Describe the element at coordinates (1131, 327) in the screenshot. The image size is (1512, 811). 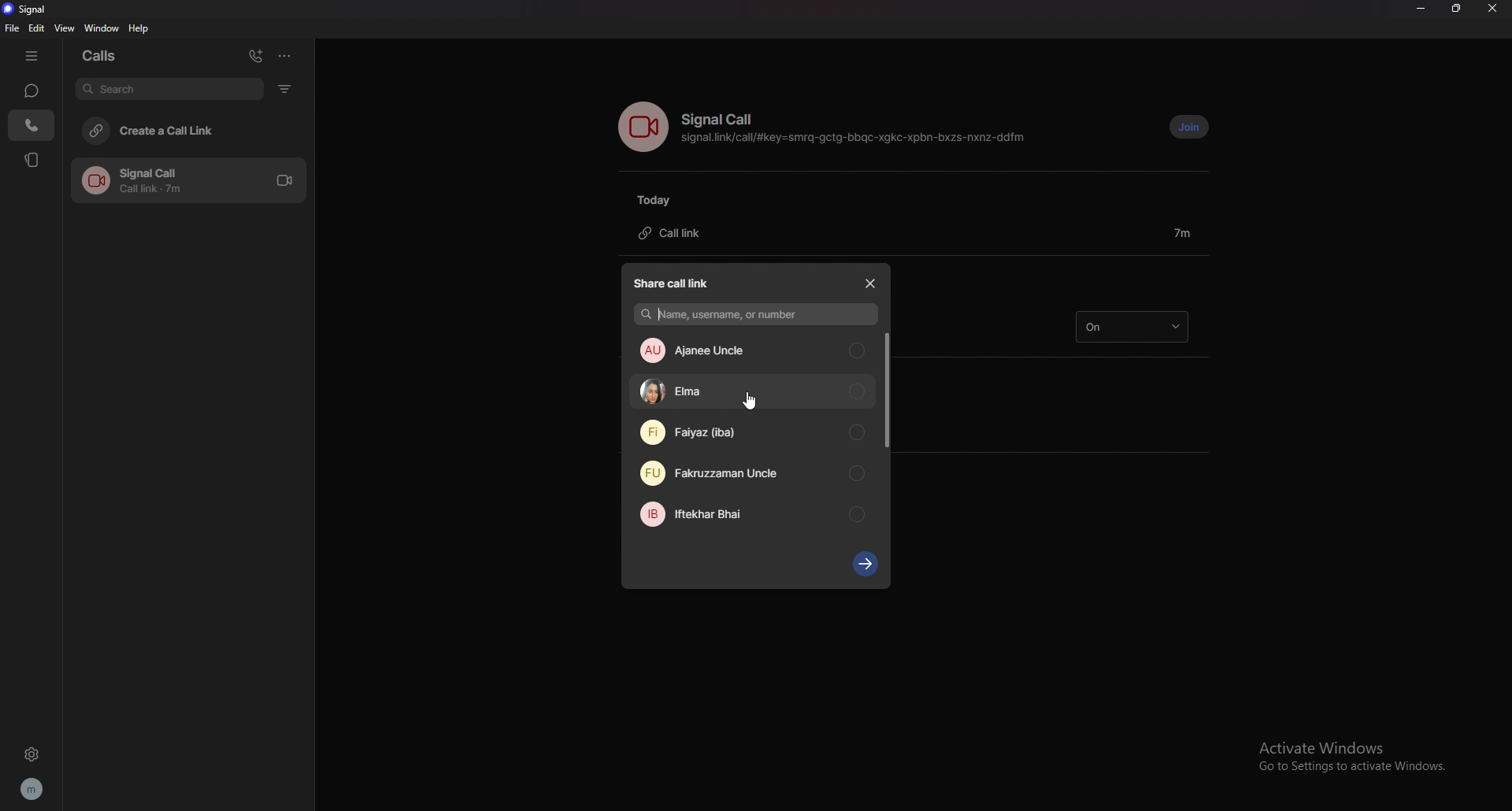
I see `on` at that location.